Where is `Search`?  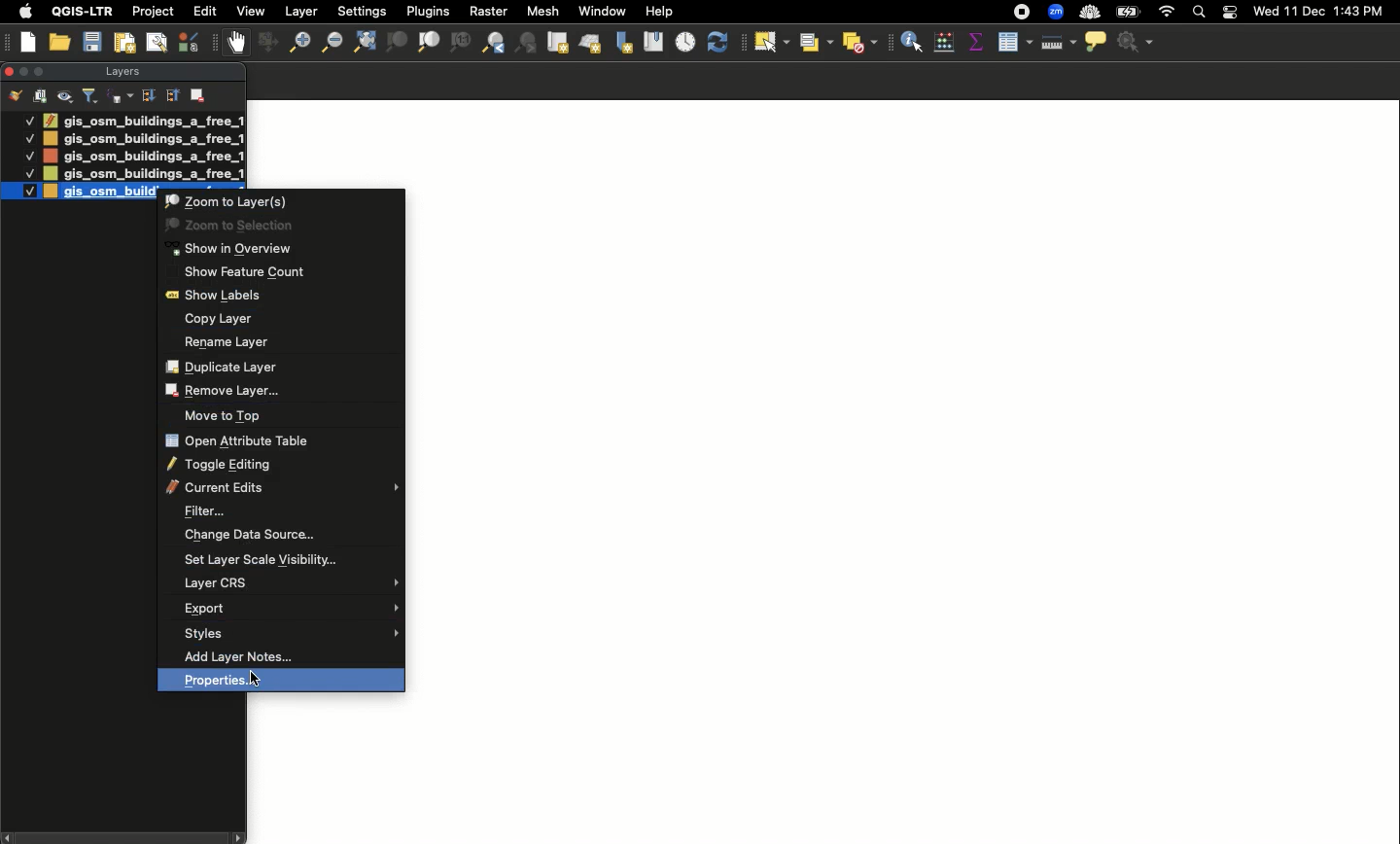 Search is located at coordinates (1197, 14).